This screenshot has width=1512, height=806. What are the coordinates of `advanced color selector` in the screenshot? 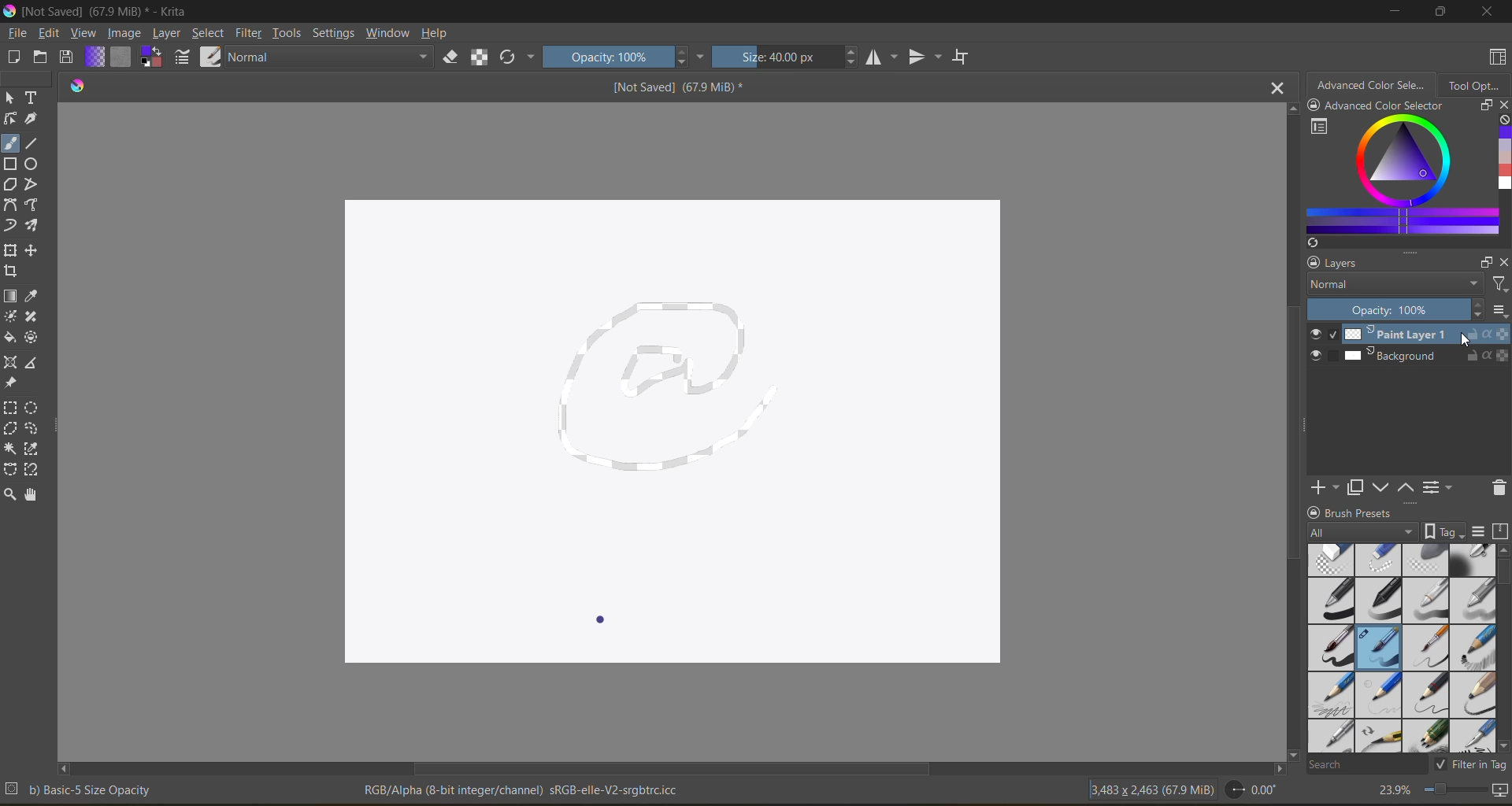 It's located at (1373, 85).